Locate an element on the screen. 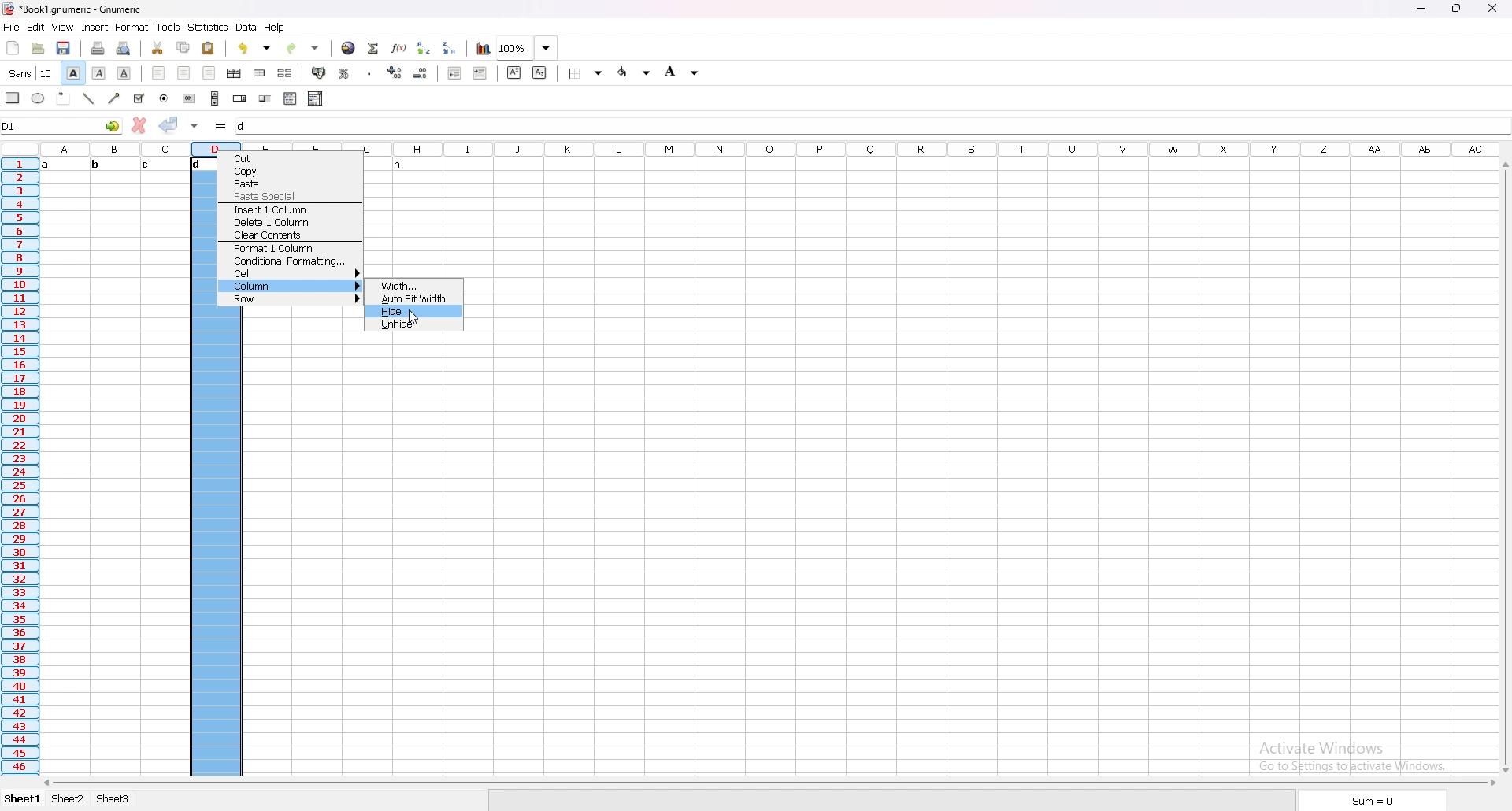  underline is located at coordinates (124, 73).